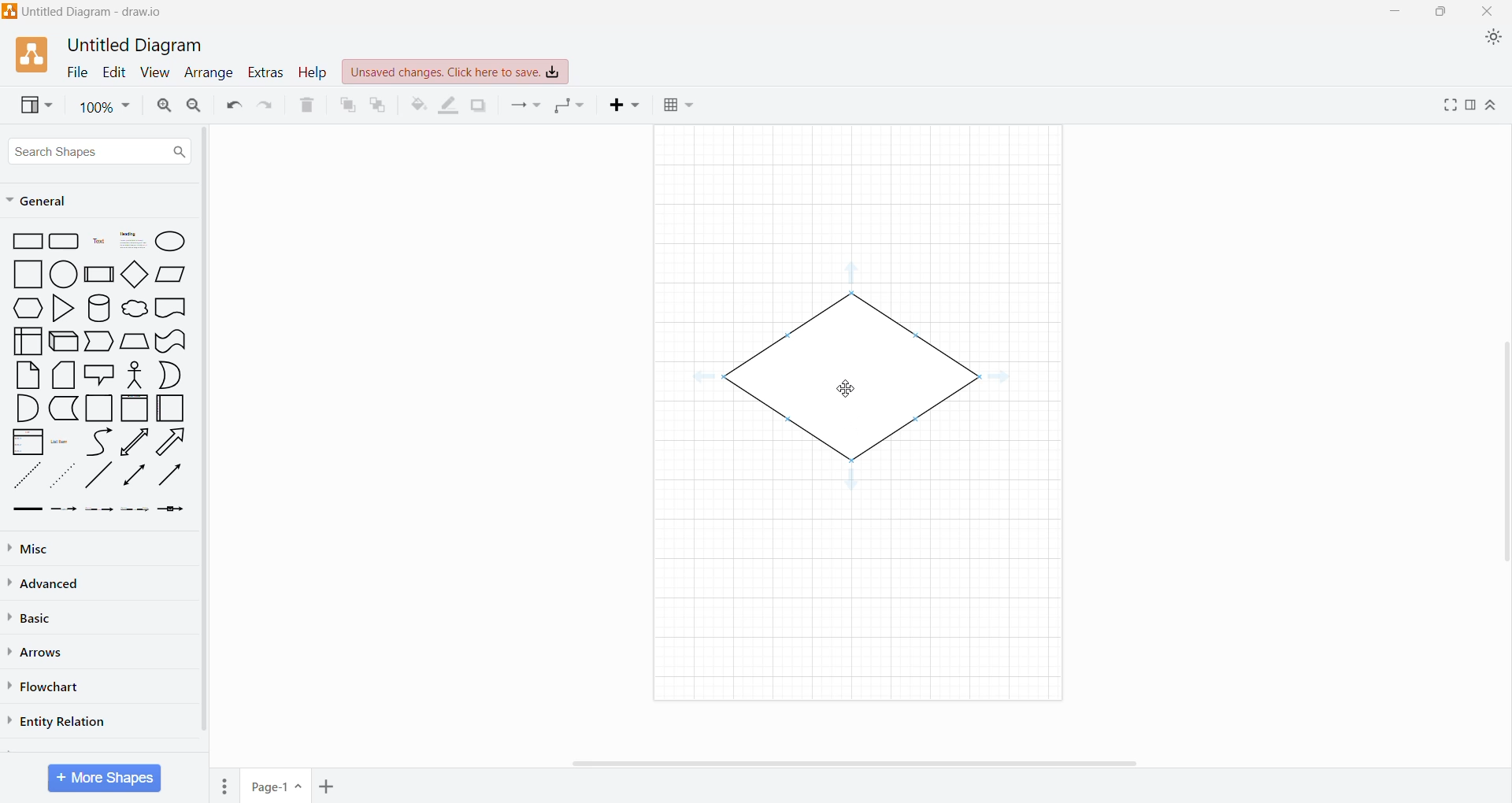 The image size is (1512, 803). I want to click on Table, so click(680, 105).